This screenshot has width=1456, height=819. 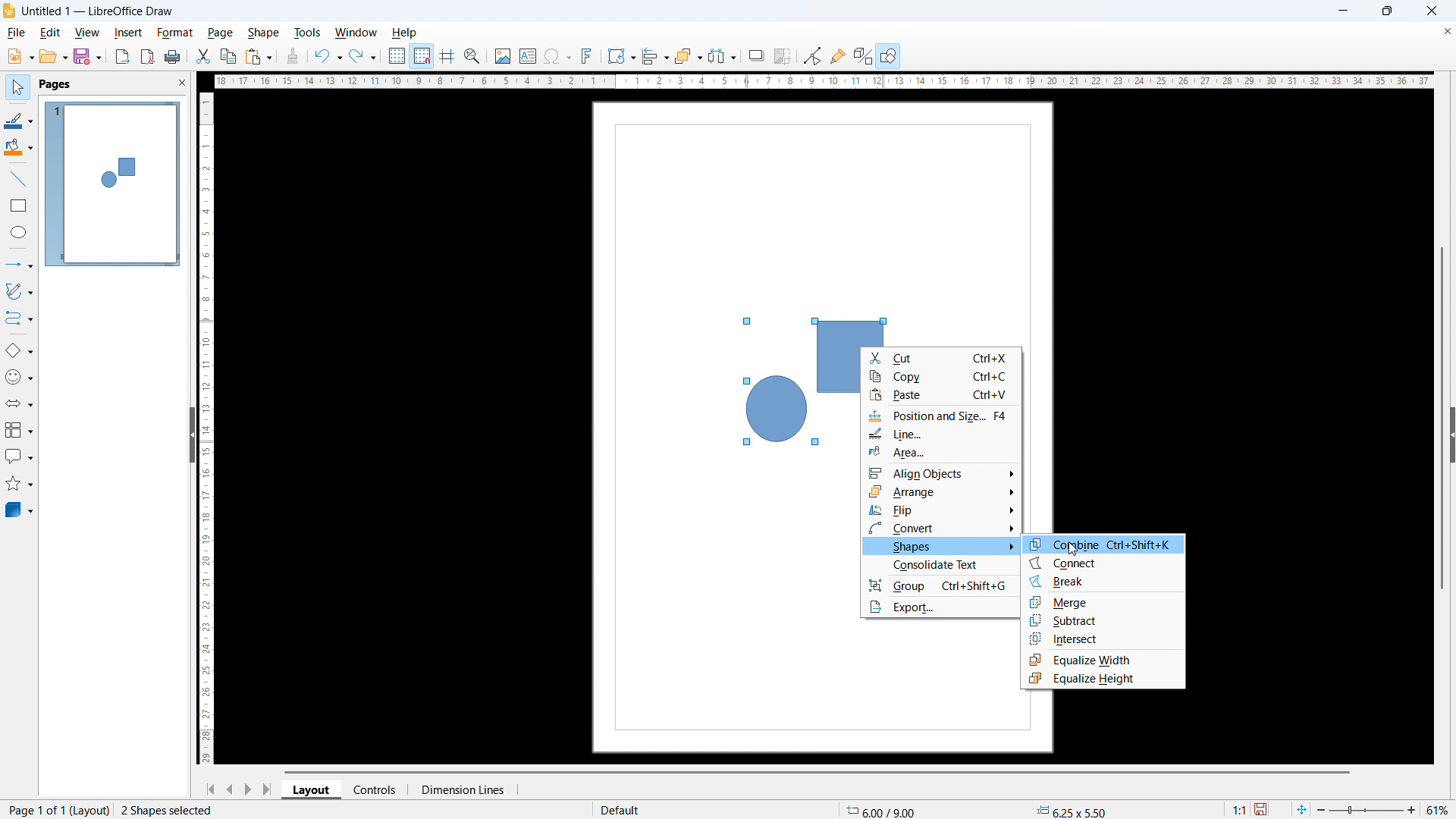 I want to click on controls, so click(x=375, y=790).